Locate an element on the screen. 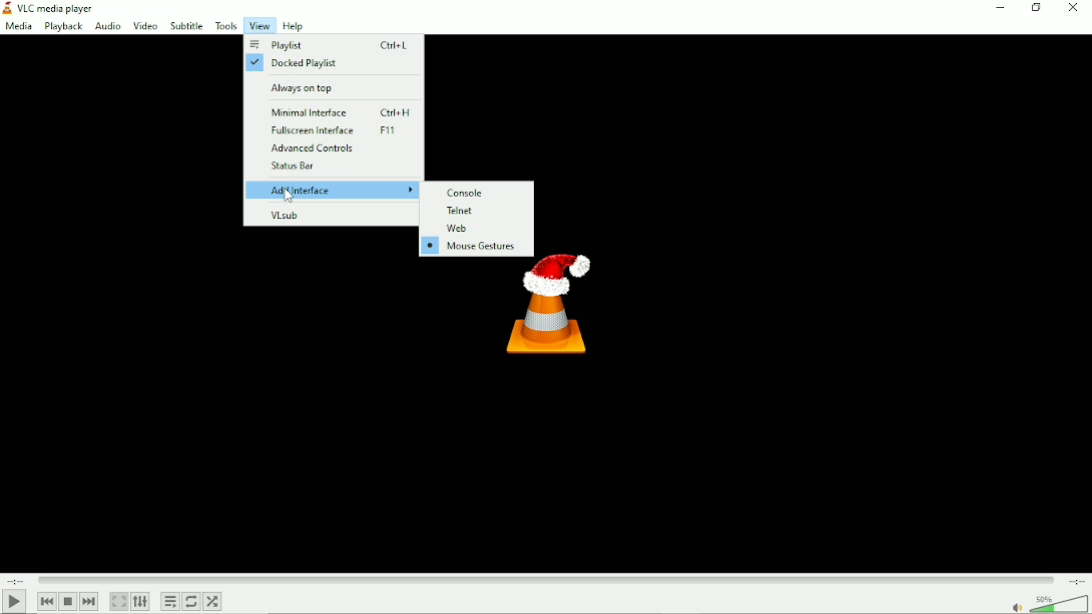 The width and height of the screenshot is (1092, 614). Next is located at coordinates (89, 601).